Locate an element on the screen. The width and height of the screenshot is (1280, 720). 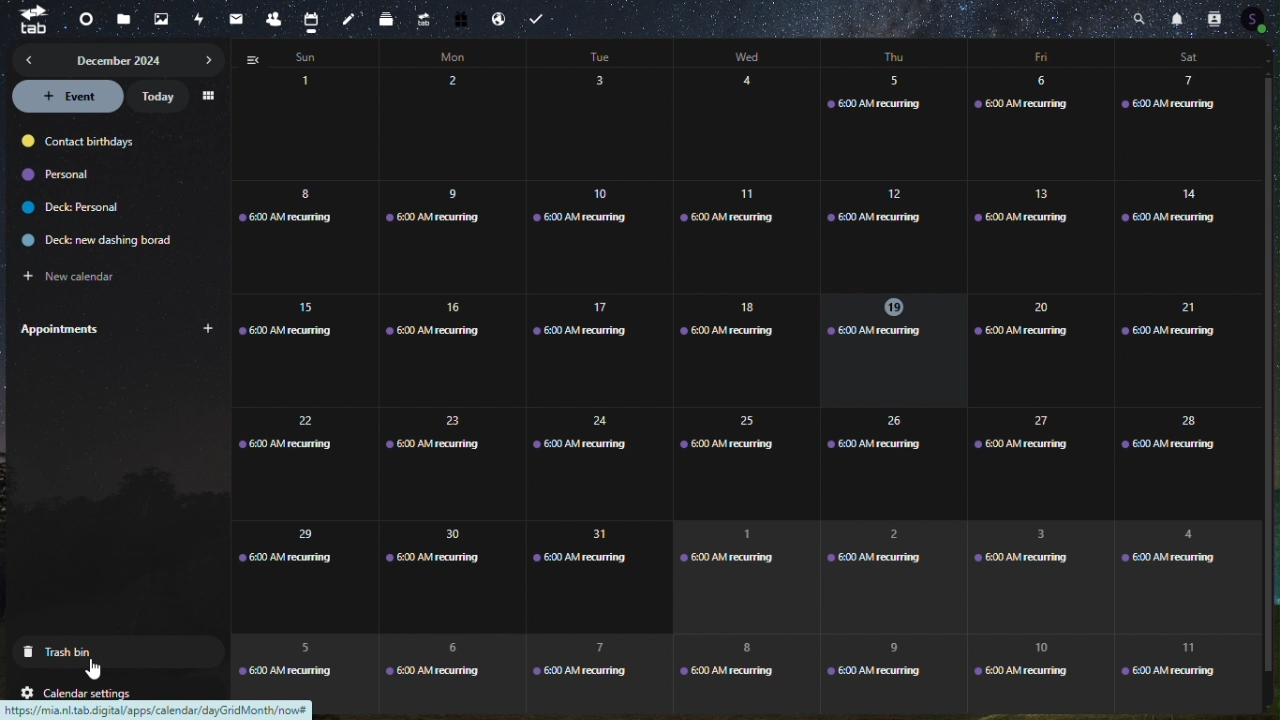
december 2024 is located at coordinates (119, 58).